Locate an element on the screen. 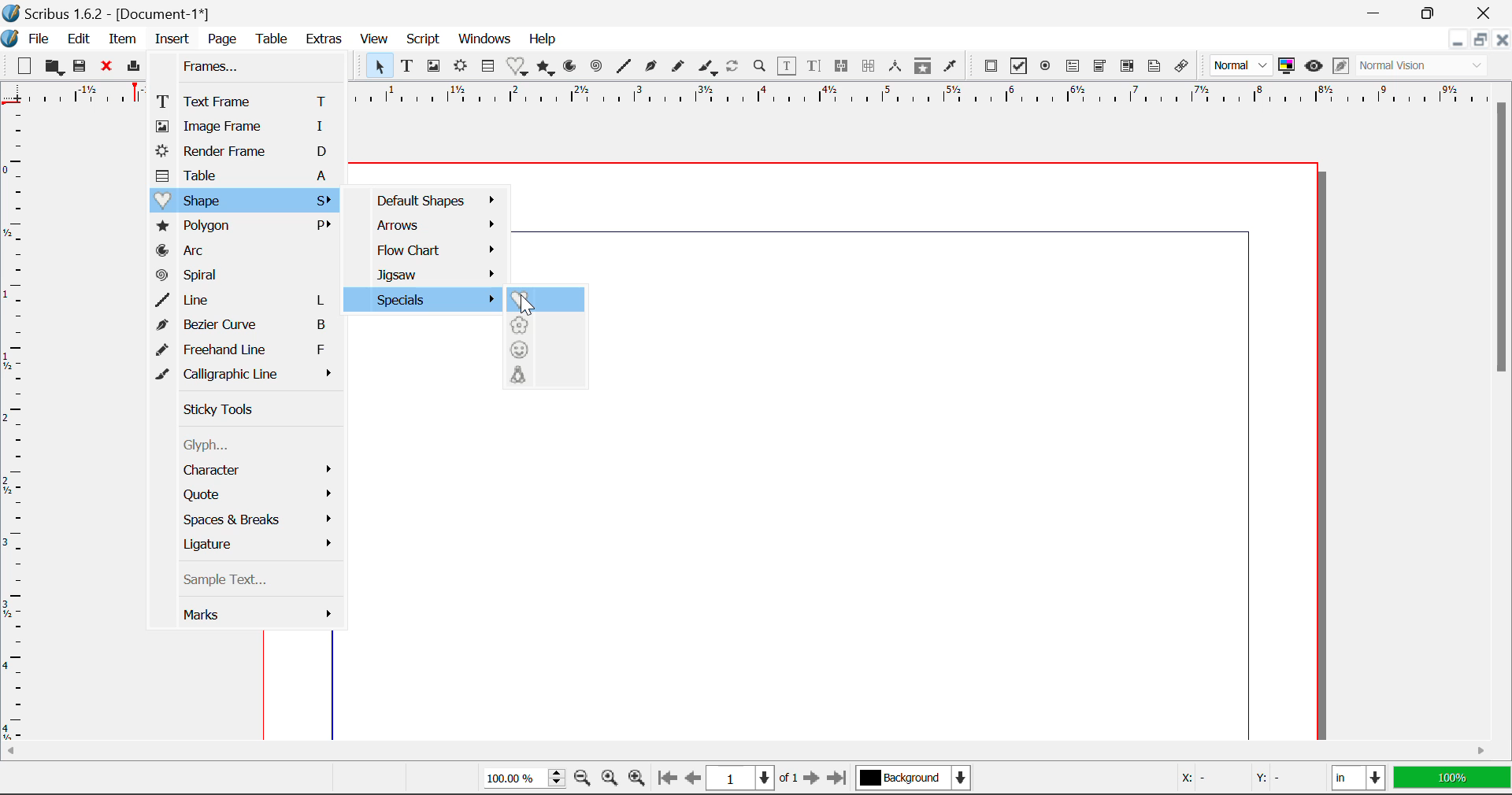 This screenshot has width=1512, height=795. Insert is located at coordinates (170, 39).